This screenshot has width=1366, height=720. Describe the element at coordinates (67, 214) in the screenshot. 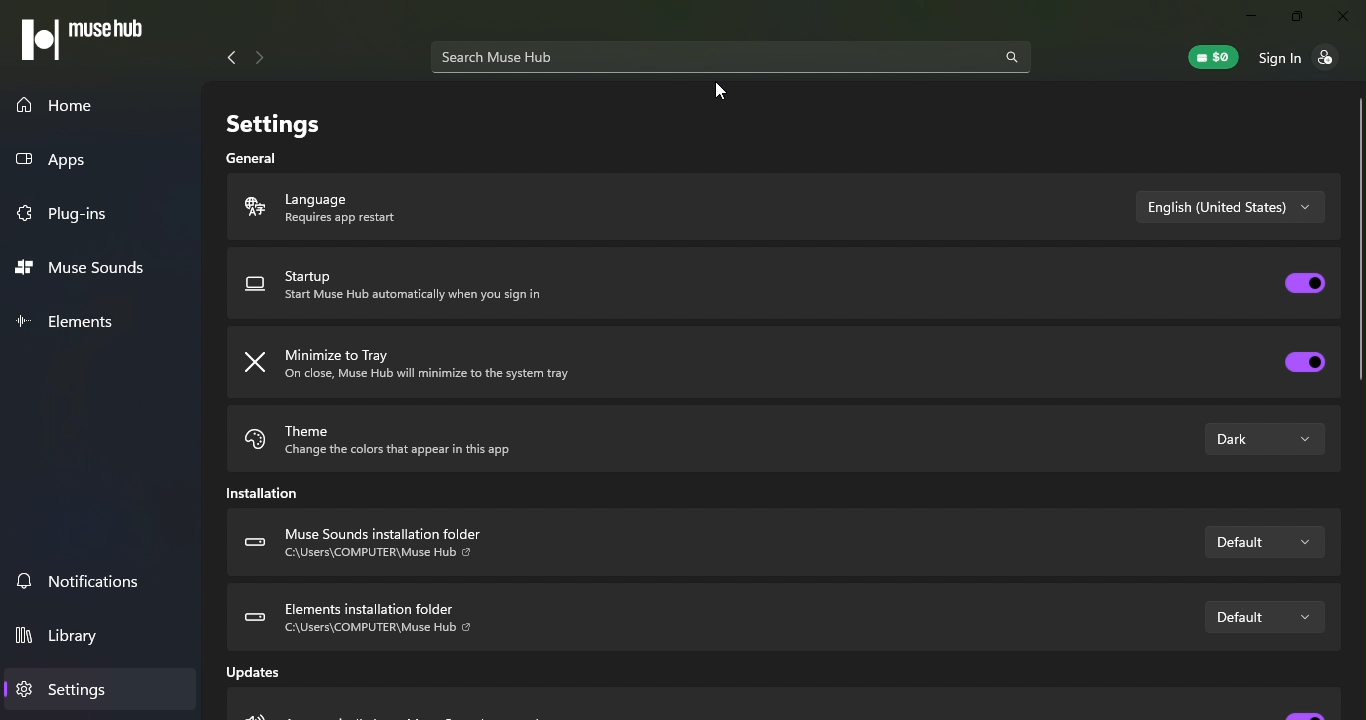

I see `Plug-ins` at that location.